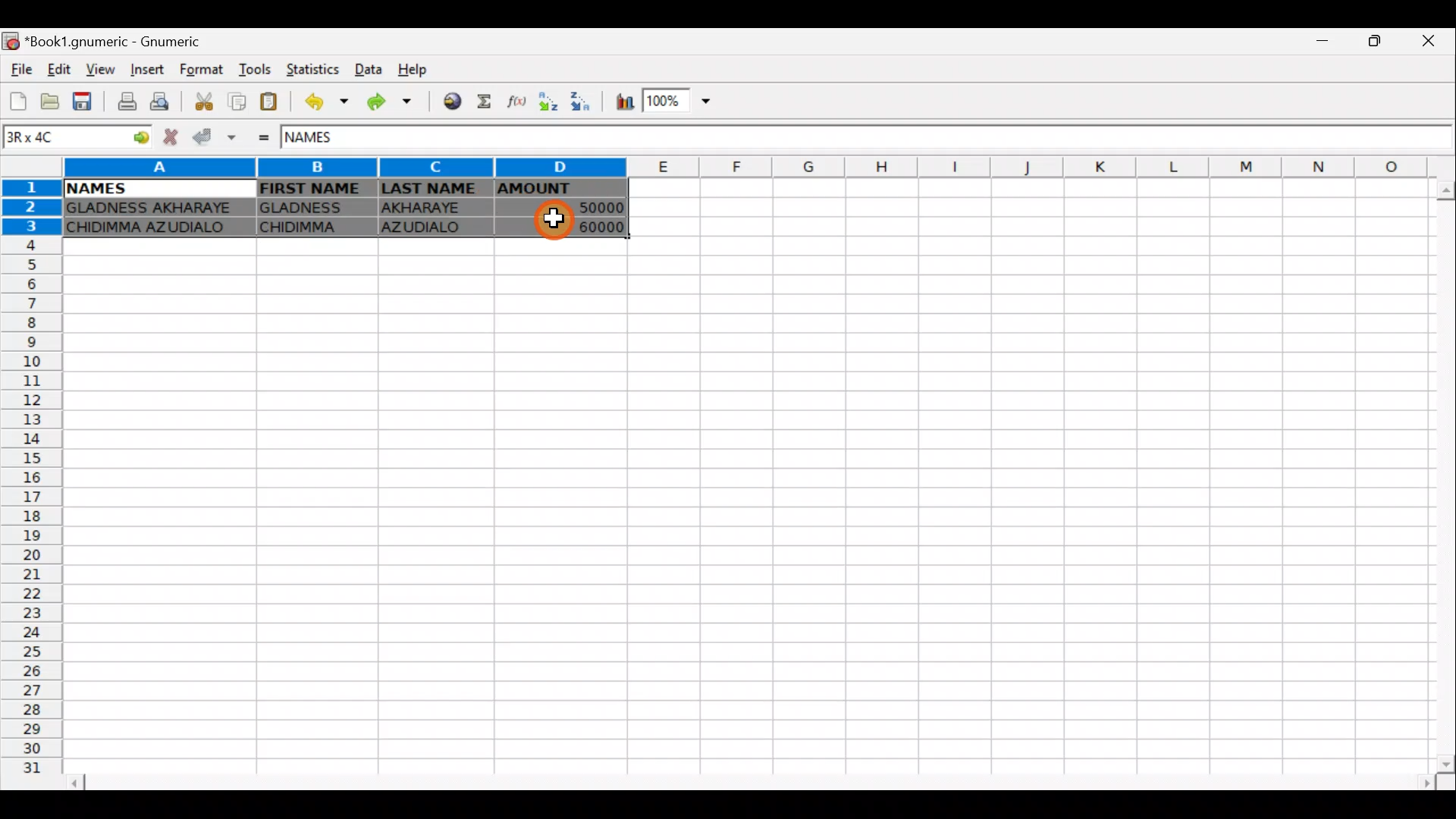  What do you see at coordinates (1437, 475) in the screenshot?
I see `Scroll bar` at bounding box center [1437, 475].